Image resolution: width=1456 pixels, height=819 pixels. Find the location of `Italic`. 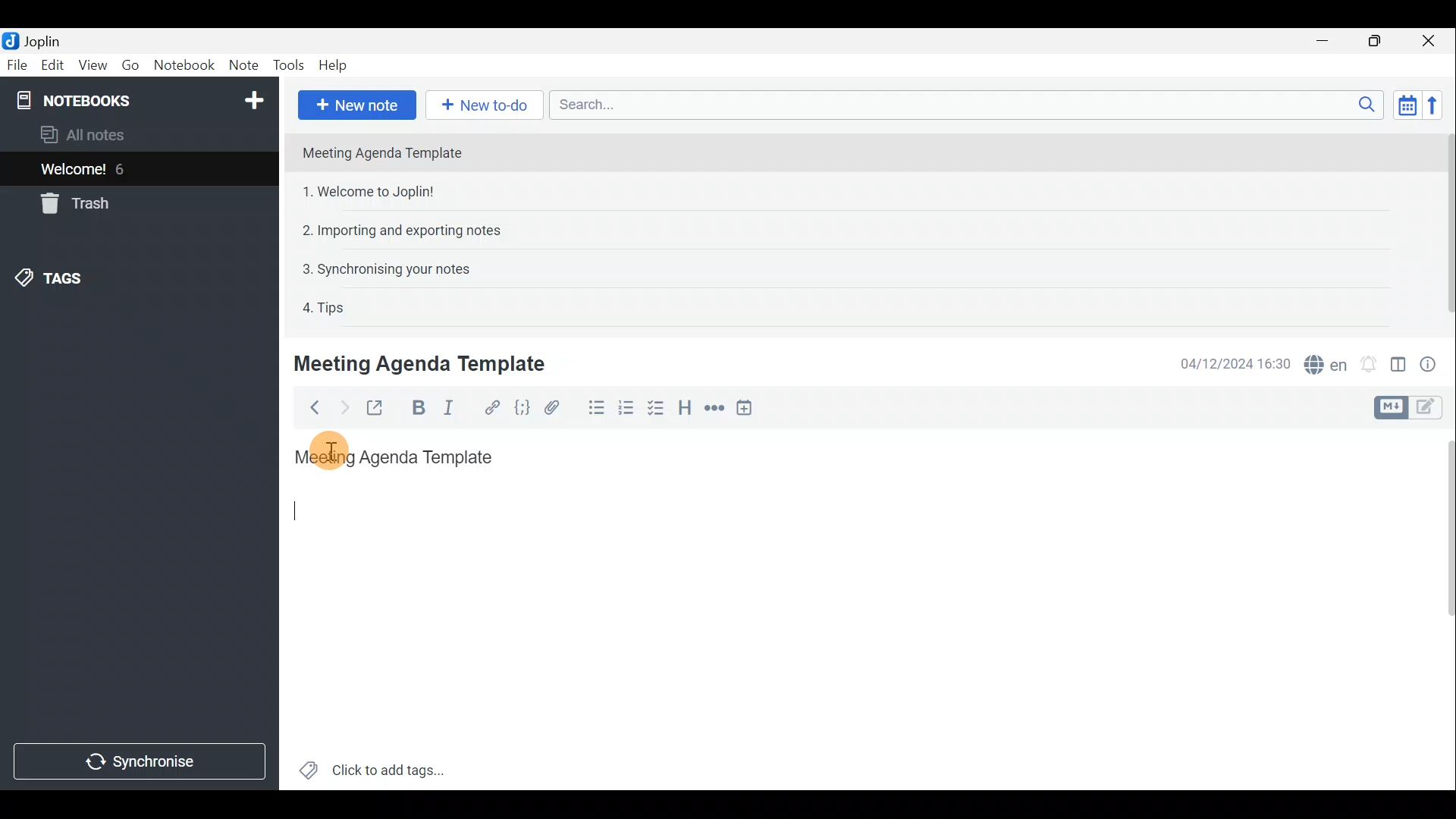

Italic is located at coordinates (457, 409).